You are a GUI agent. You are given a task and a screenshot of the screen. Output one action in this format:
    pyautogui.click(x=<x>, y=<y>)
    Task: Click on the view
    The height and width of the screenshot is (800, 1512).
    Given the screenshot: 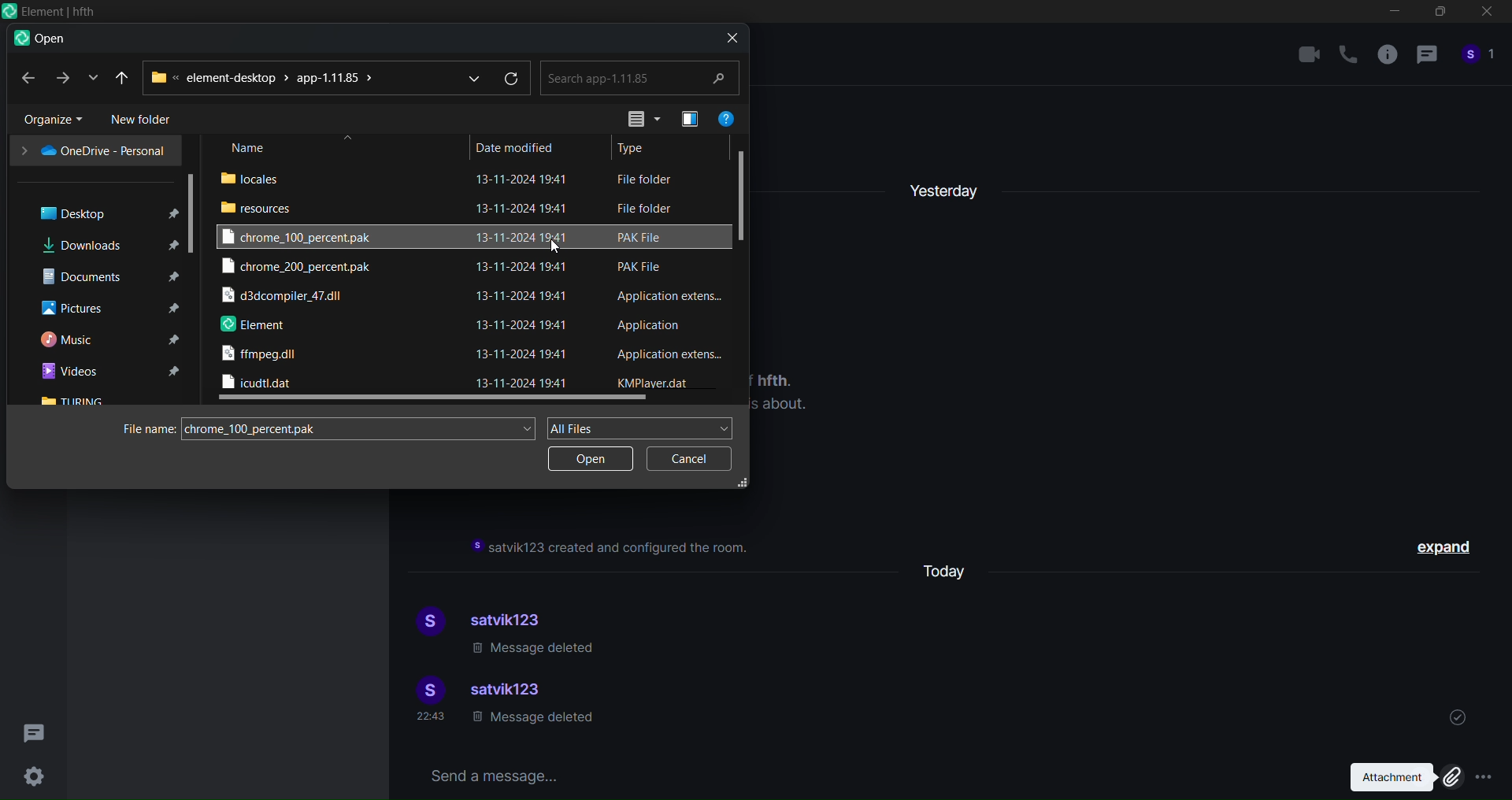 What is the action you would take?
    pyautogui.click(x=636, y=118)
    